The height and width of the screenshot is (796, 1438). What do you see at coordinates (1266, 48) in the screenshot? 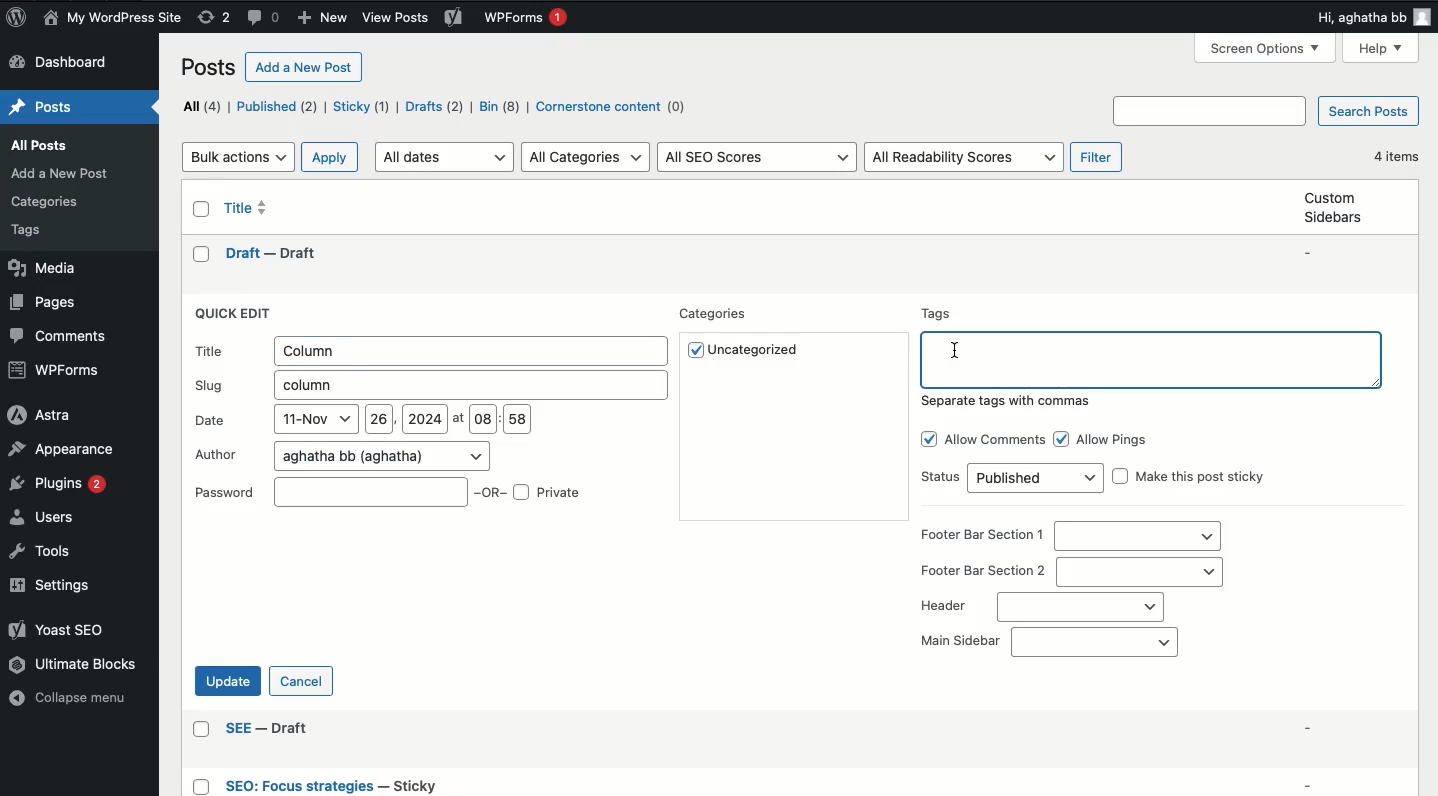
I see `screen options` at bounding box center [1266, 48].